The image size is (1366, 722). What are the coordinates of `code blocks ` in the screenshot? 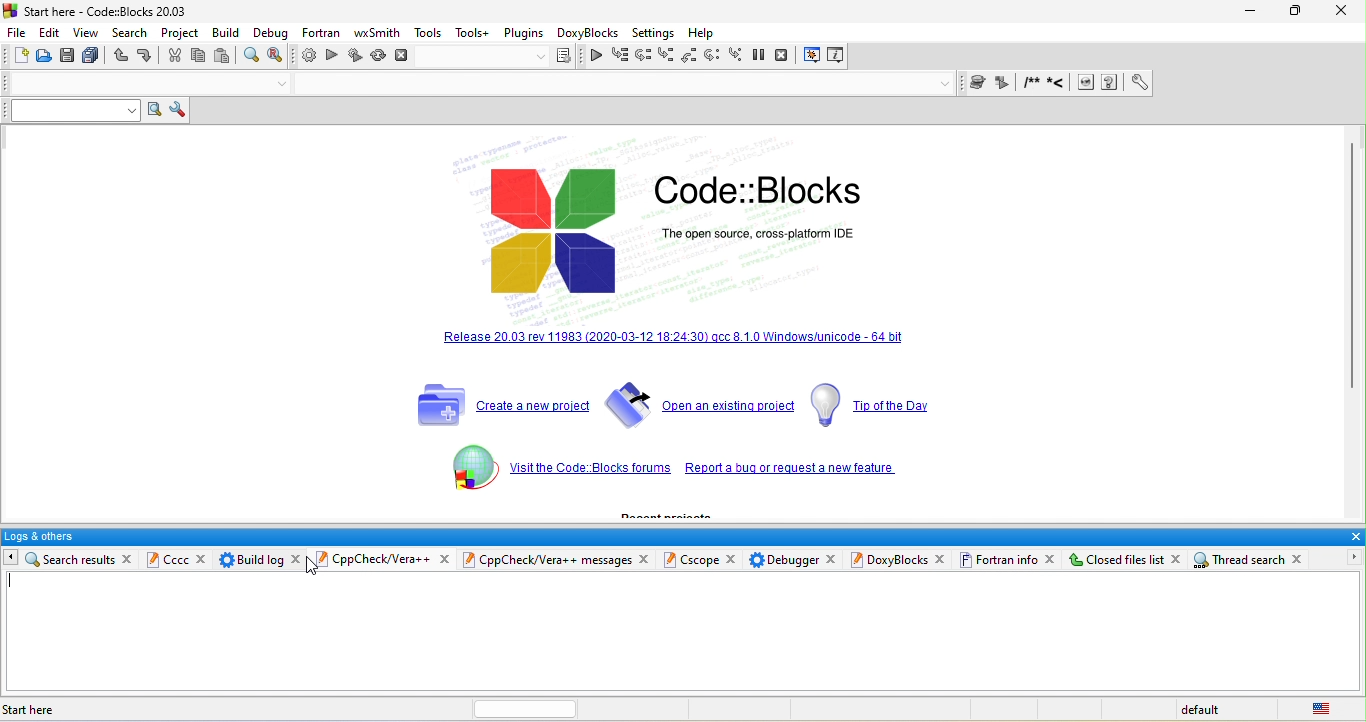 It's located at (552, 231).